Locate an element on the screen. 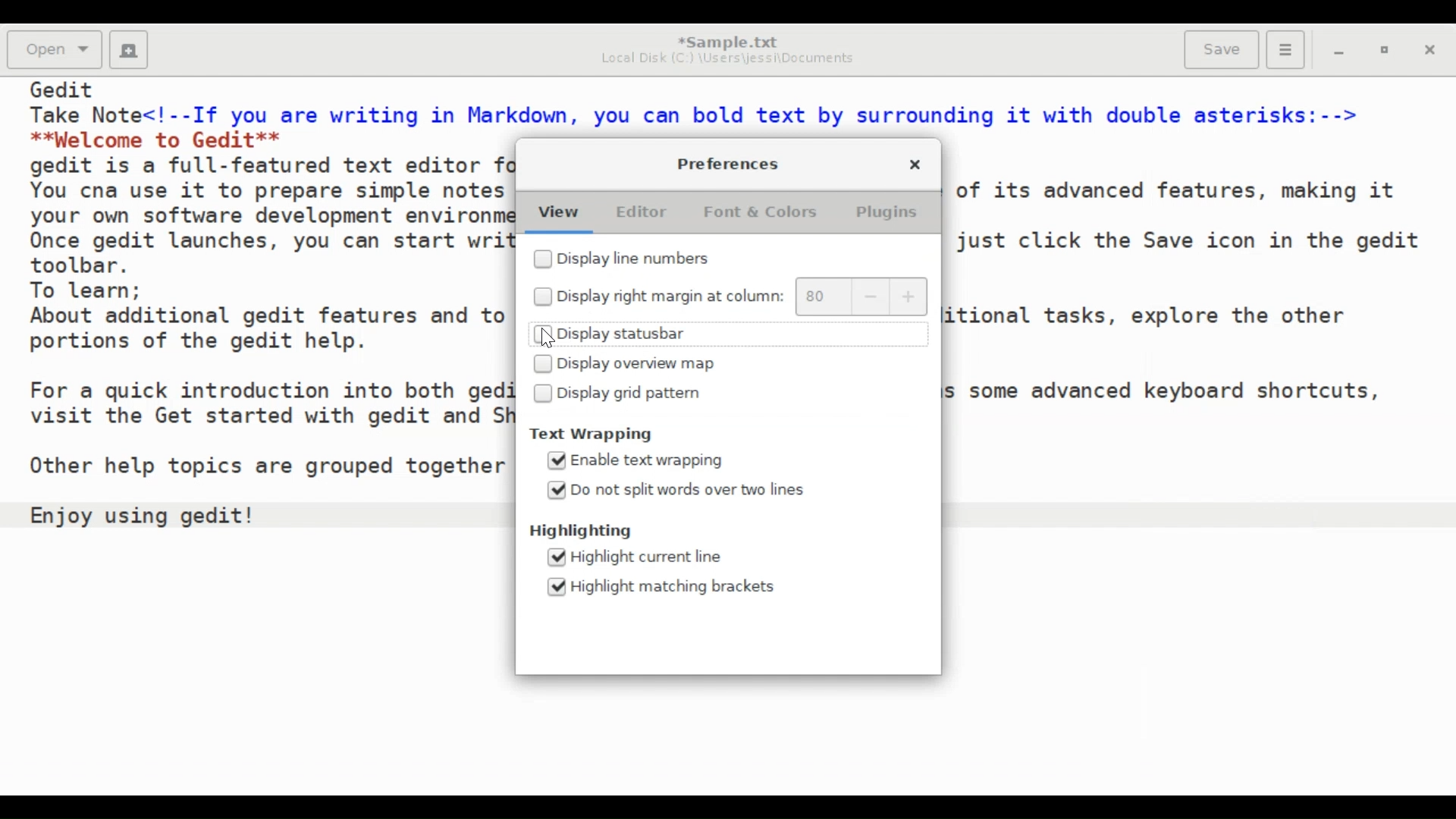 The image size is (1456, 819). Local Disk (C:) \Users\jessi\Documents is located at coordinates (733, 59).